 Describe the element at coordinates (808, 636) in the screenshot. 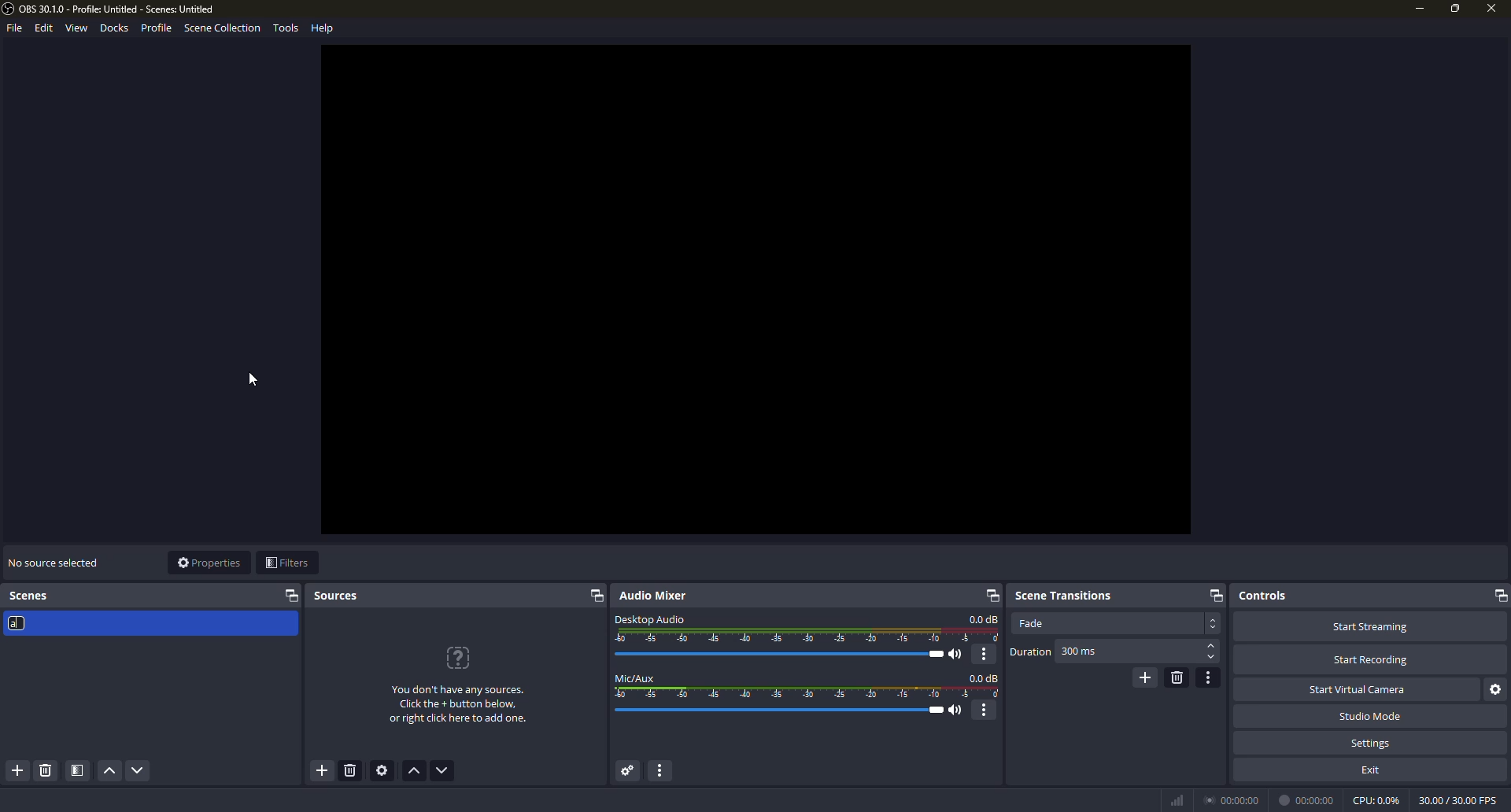

I see `audio range` at that location.